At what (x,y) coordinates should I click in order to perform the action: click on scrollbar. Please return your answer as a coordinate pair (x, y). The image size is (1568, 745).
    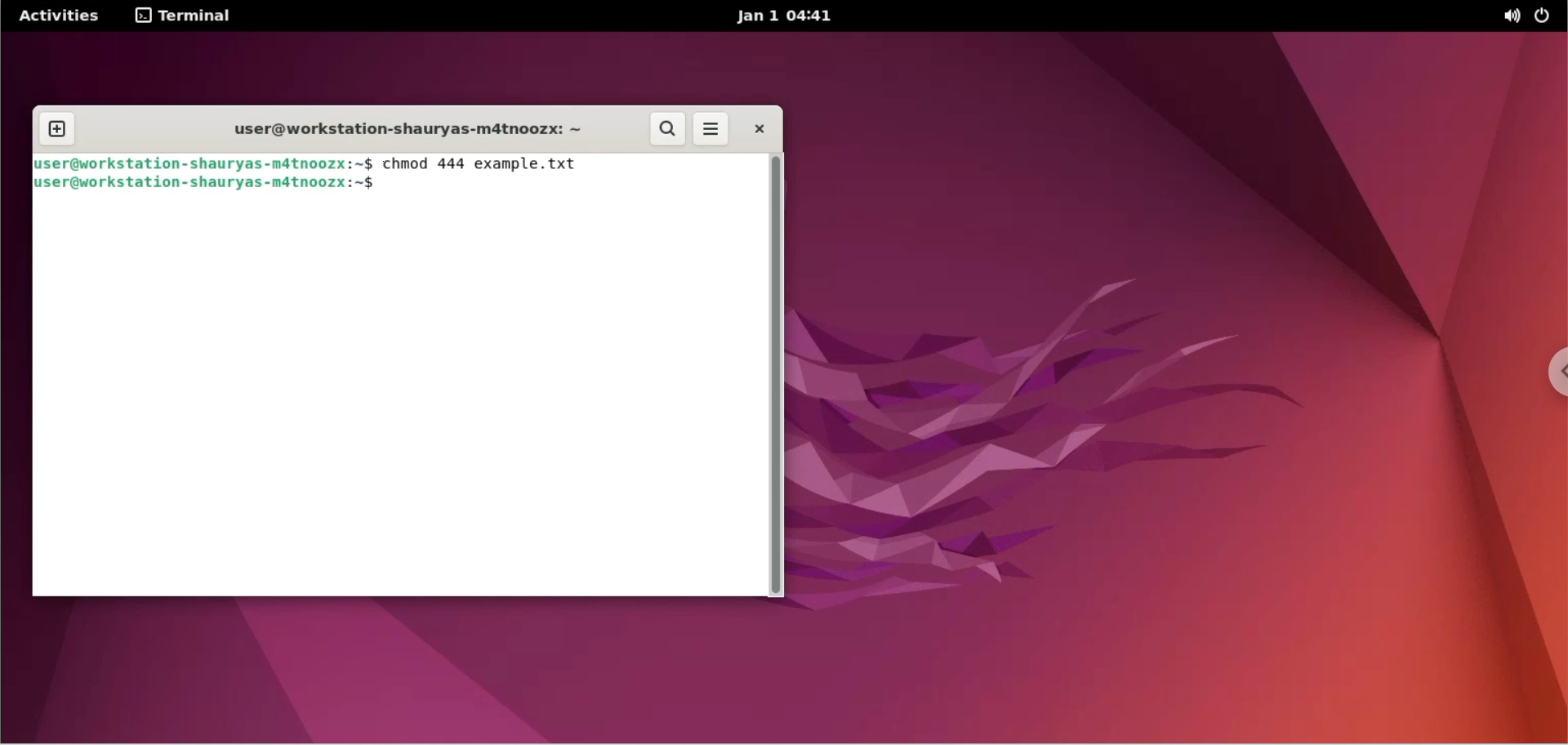
    Looking at the image, I should click on (777, 374).